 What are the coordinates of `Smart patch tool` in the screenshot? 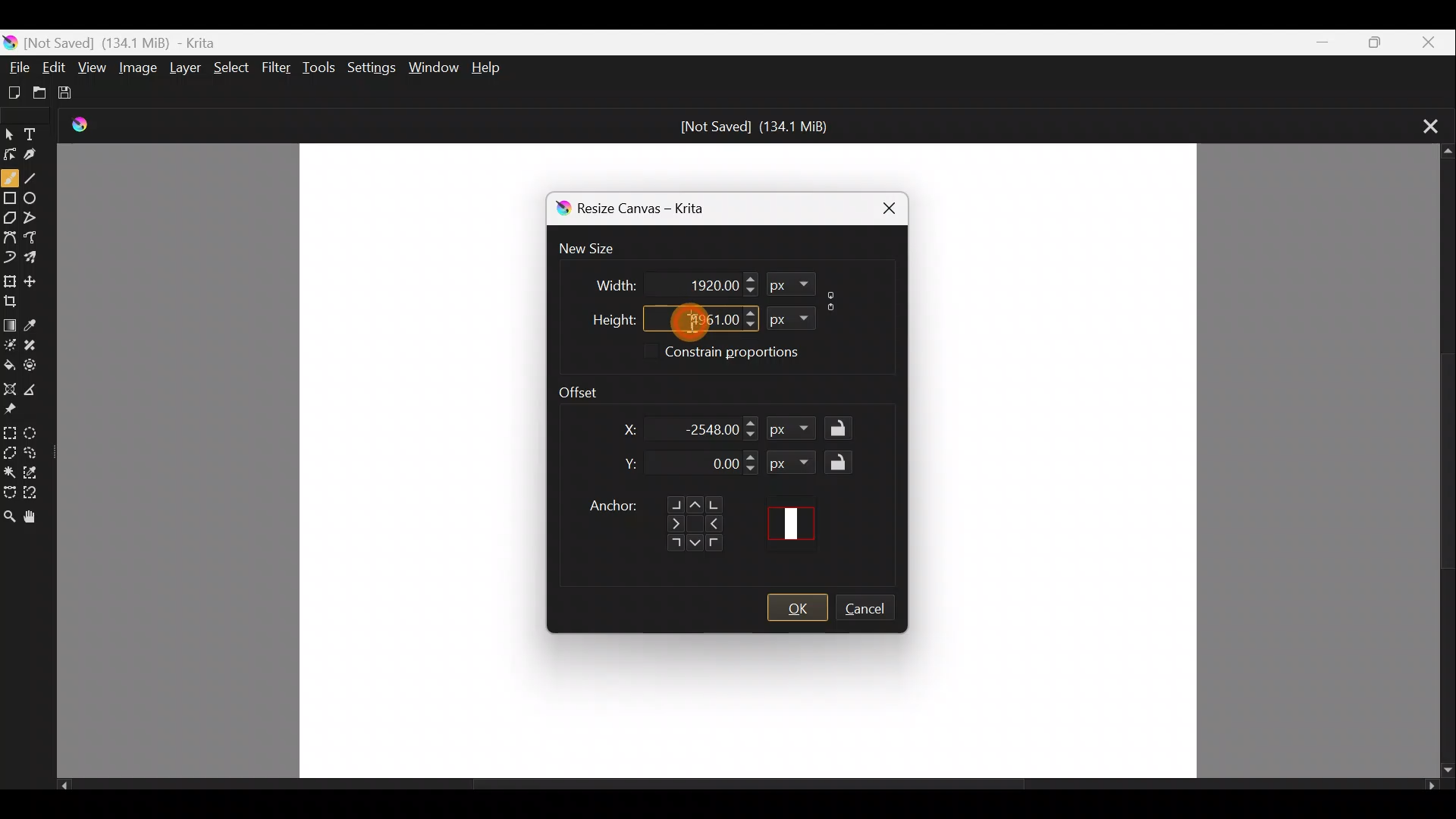 It's located at (36, 343).